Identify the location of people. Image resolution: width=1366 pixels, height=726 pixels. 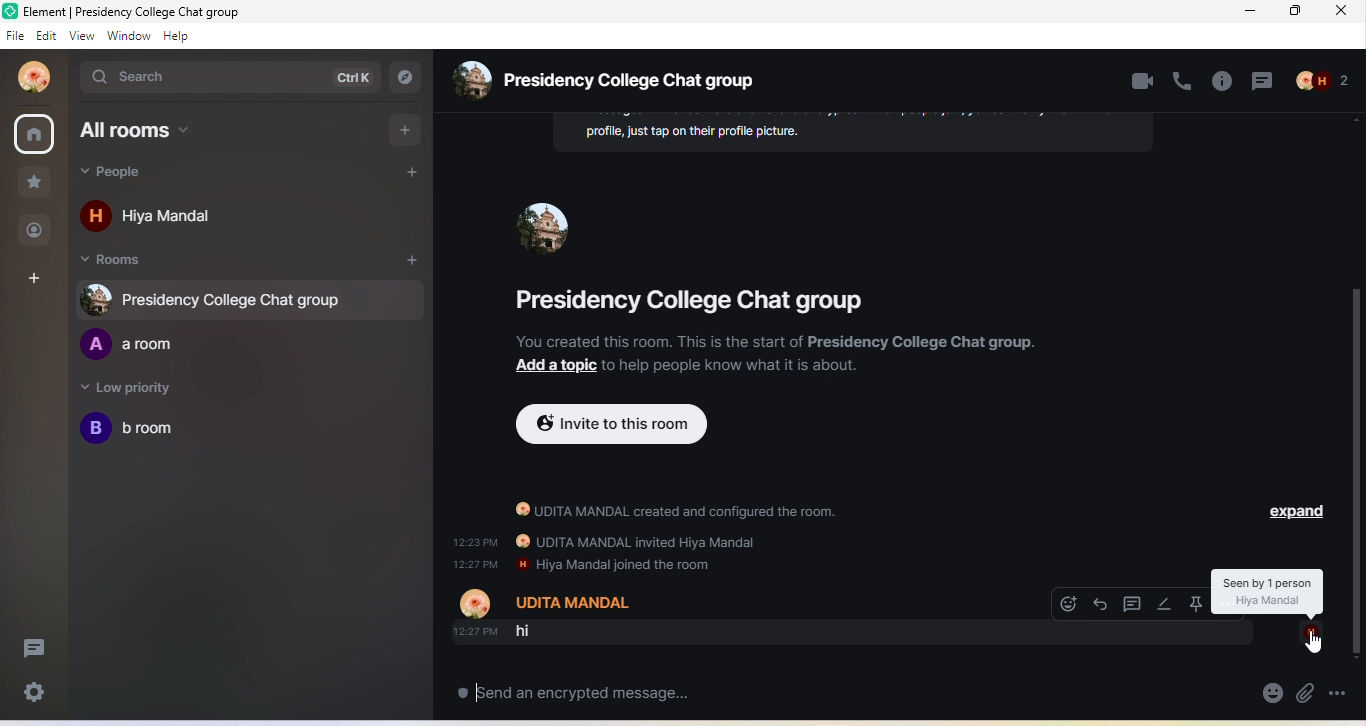
(1325, 84).